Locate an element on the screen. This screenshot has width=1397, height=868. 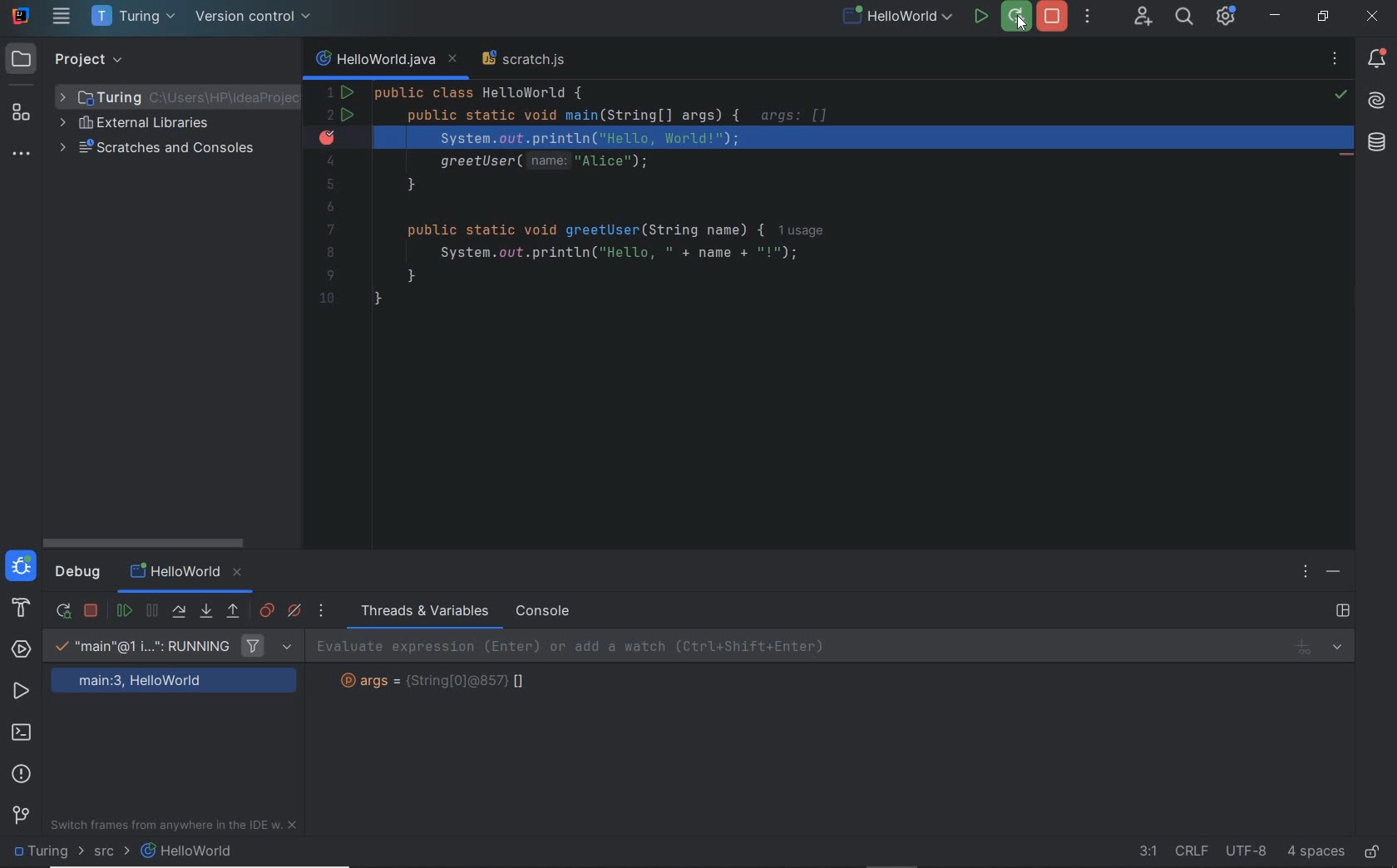
codes is located at coordinates (792, 205).